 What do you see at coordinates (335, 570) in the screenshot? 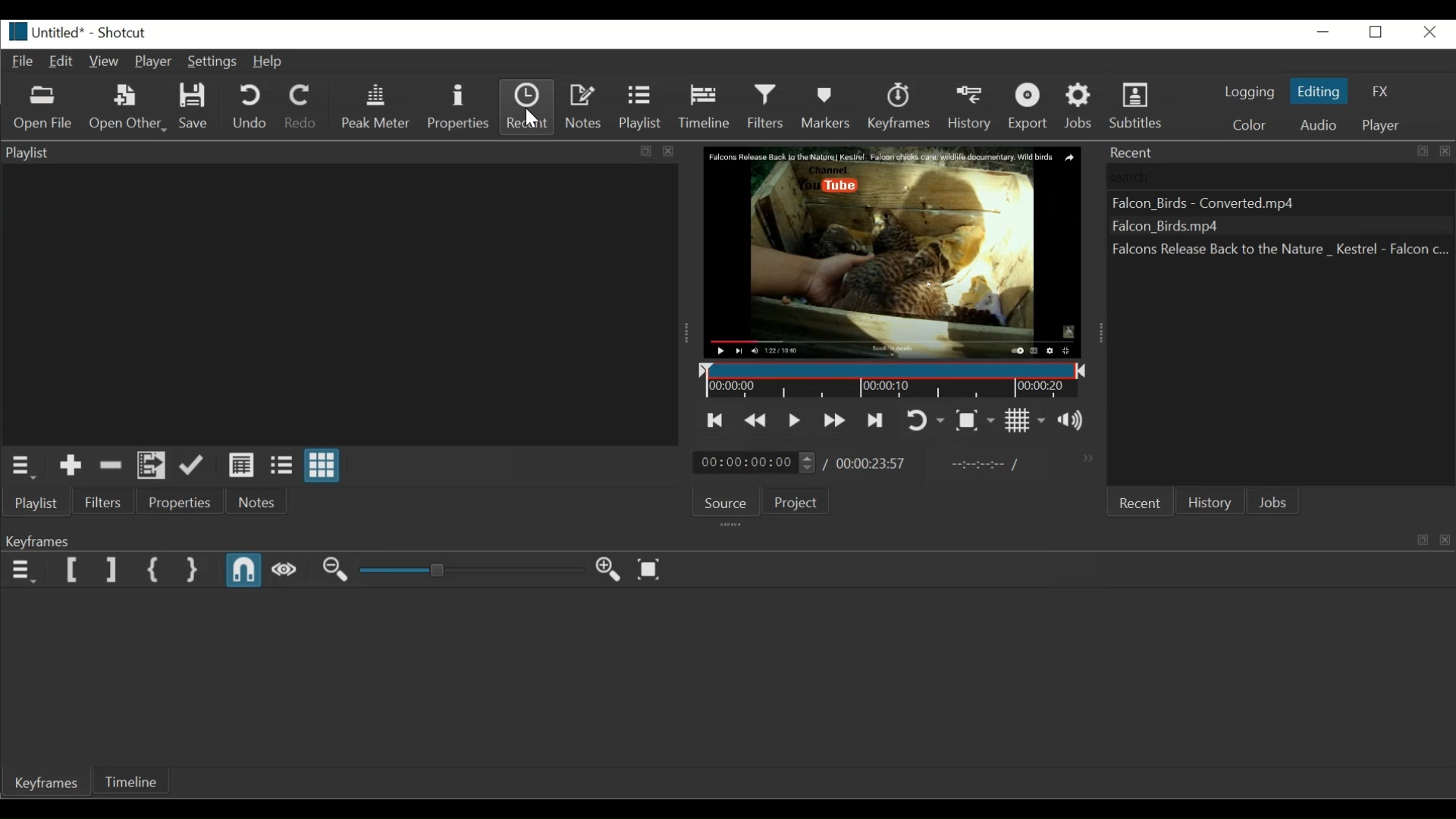
I see `Zoom Keyframe out` at bounding box center [335, 570].